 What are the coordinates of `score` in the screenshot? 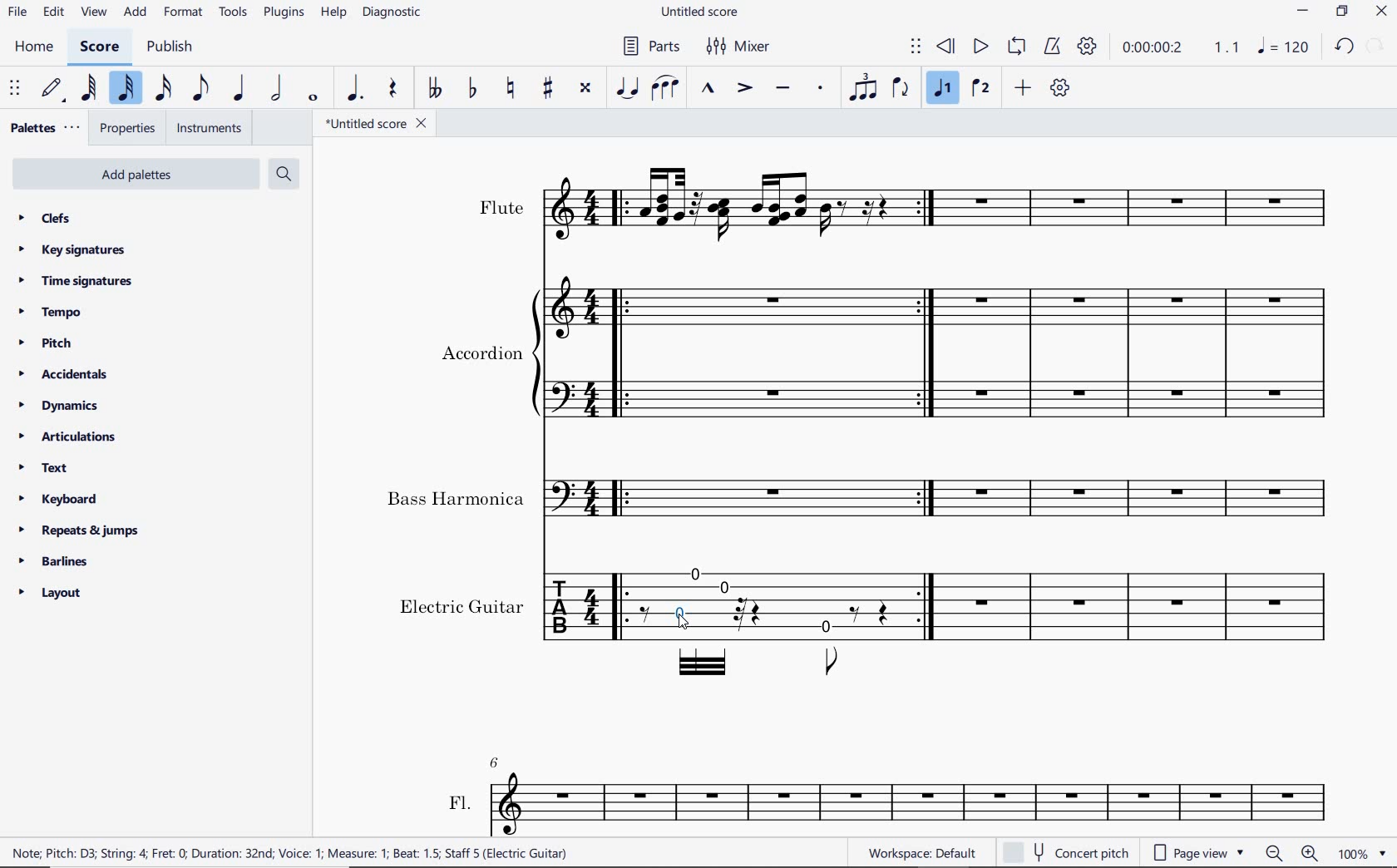 It's located at (101, 47).